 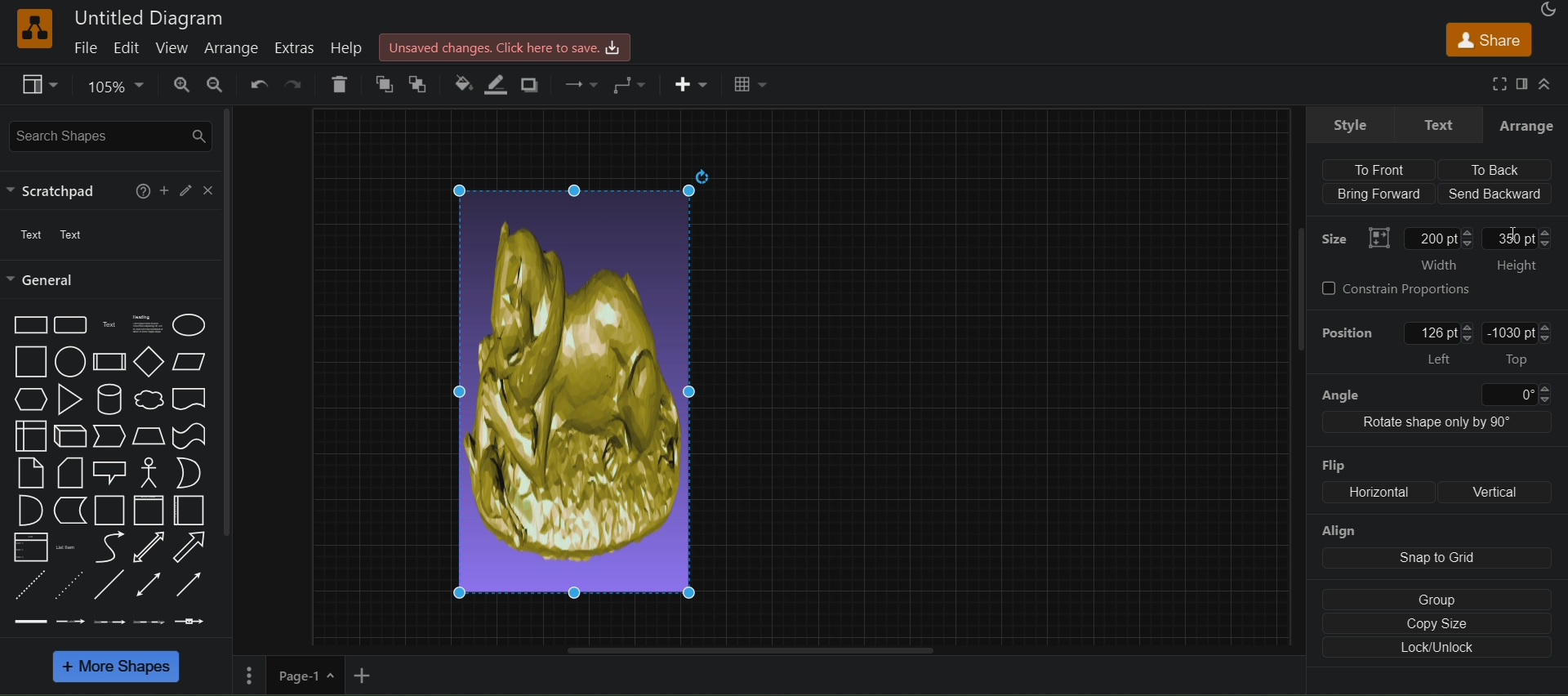 What do you see at coordinates (1363, 494) in the screenshot?
I see `flip: Horizontal` at bounding box center [1363, 494].